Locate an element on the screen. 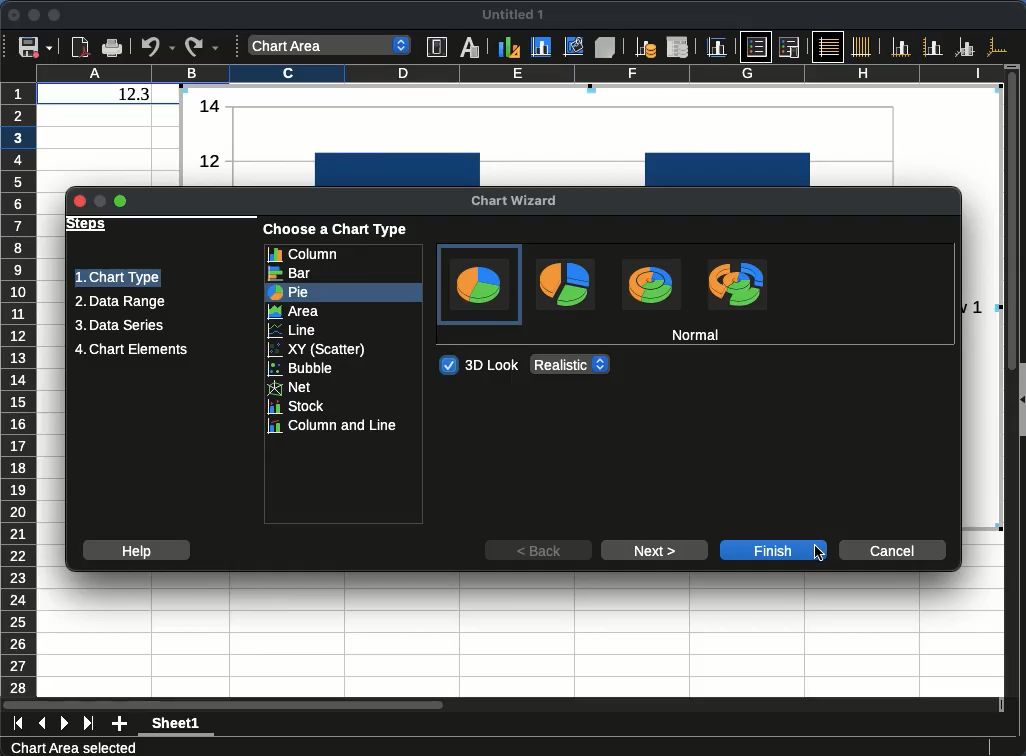 This screenshot has height=756, width=1026. column is located at coordinates (343, 254).